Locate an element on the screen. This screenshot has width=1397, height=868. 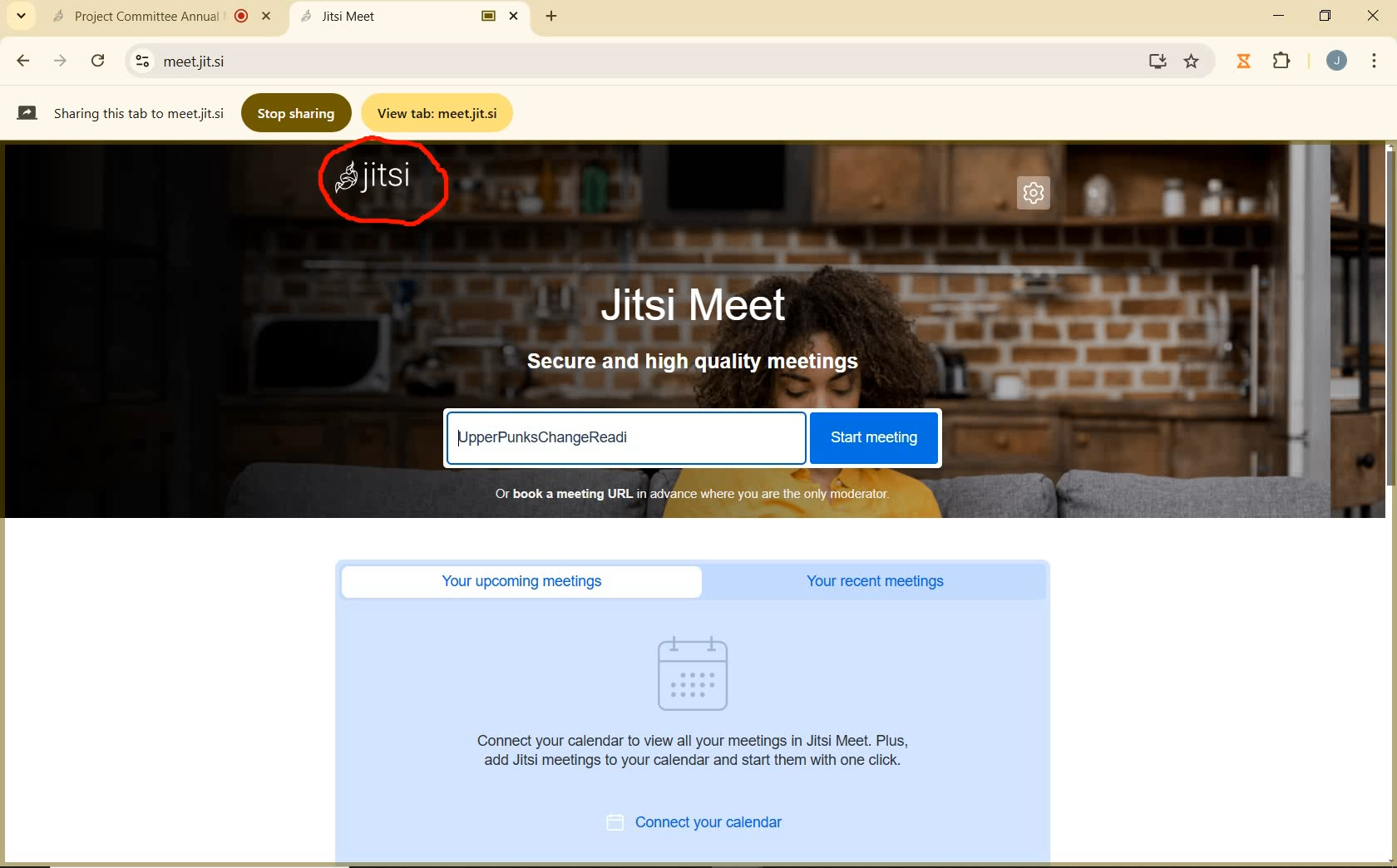
settings is located at coordinates (139, 61).